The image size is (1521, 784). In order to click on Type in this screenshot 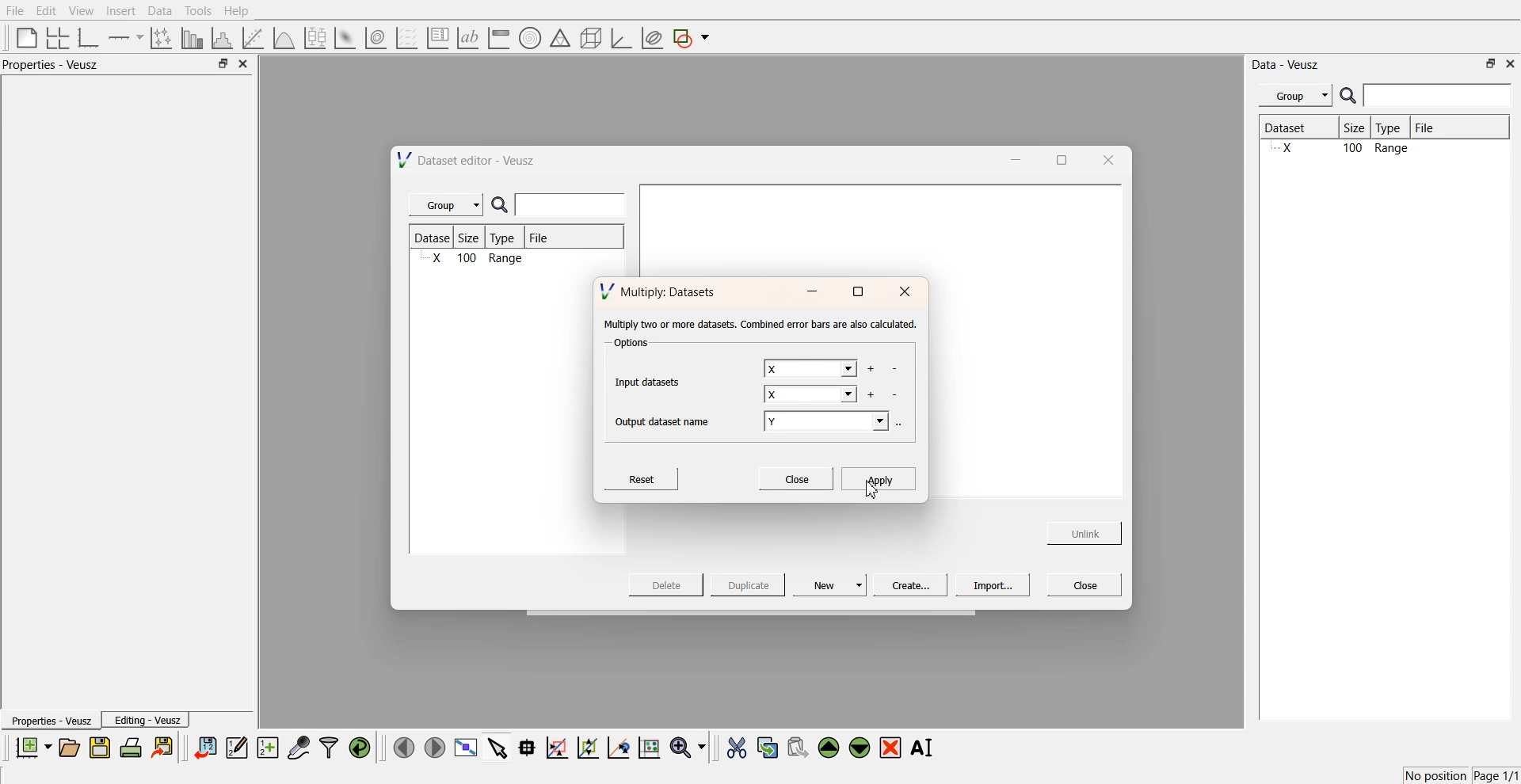, I will do `click(1393, 128)`.